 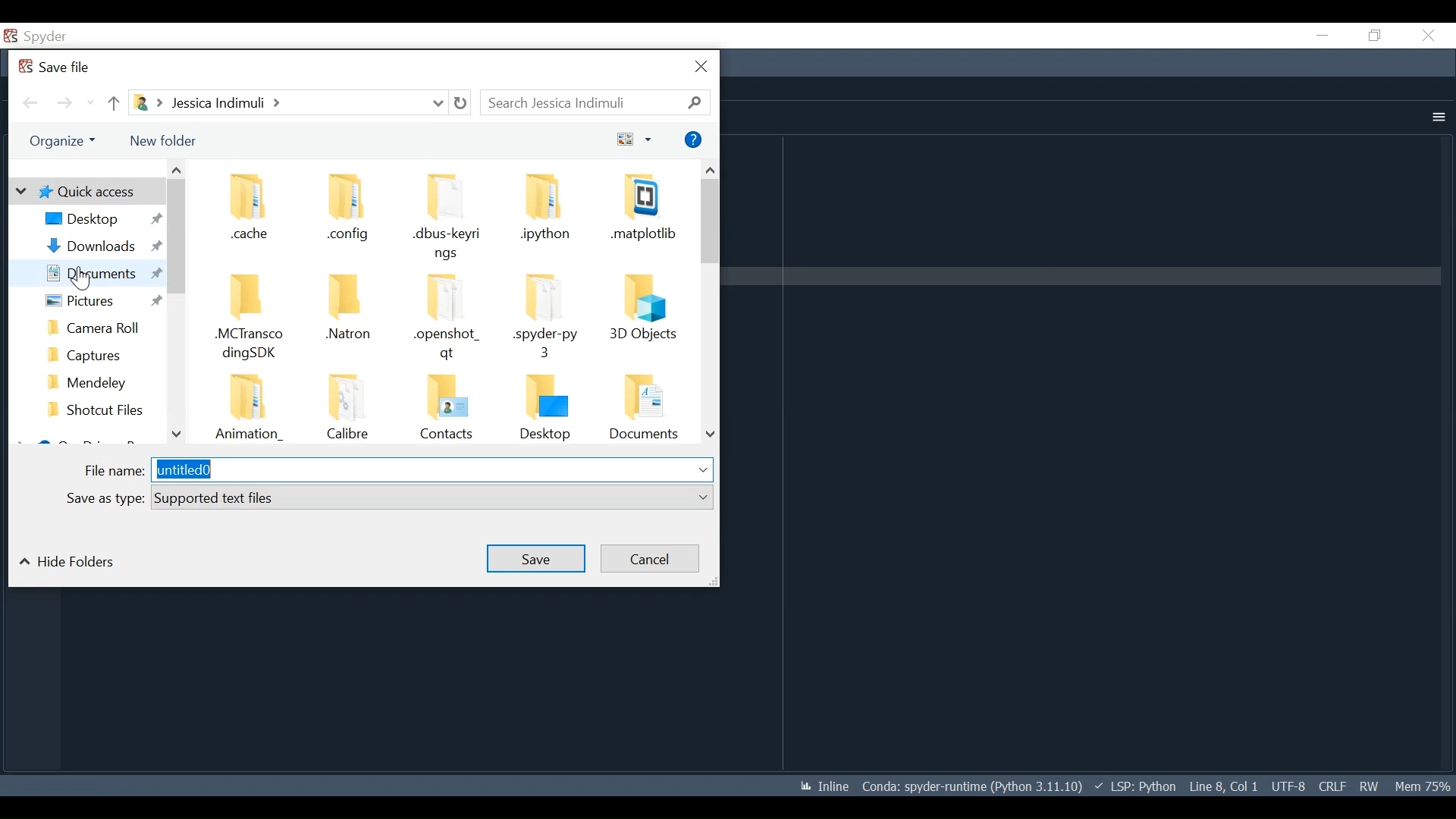 I want to click on Folder, so click(x=97, y=412).